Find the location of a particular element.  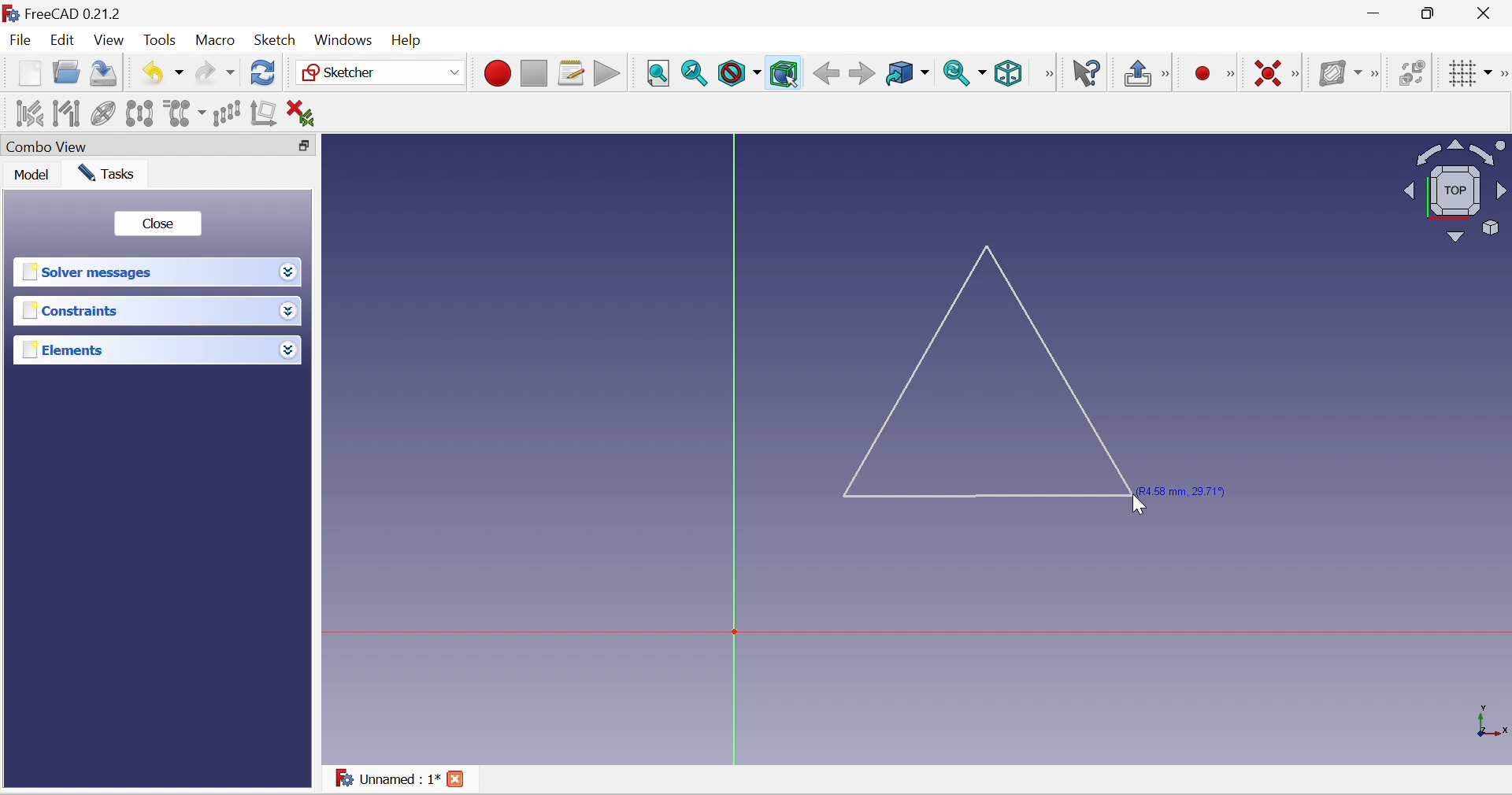

View is located at coordinates (109, 42).